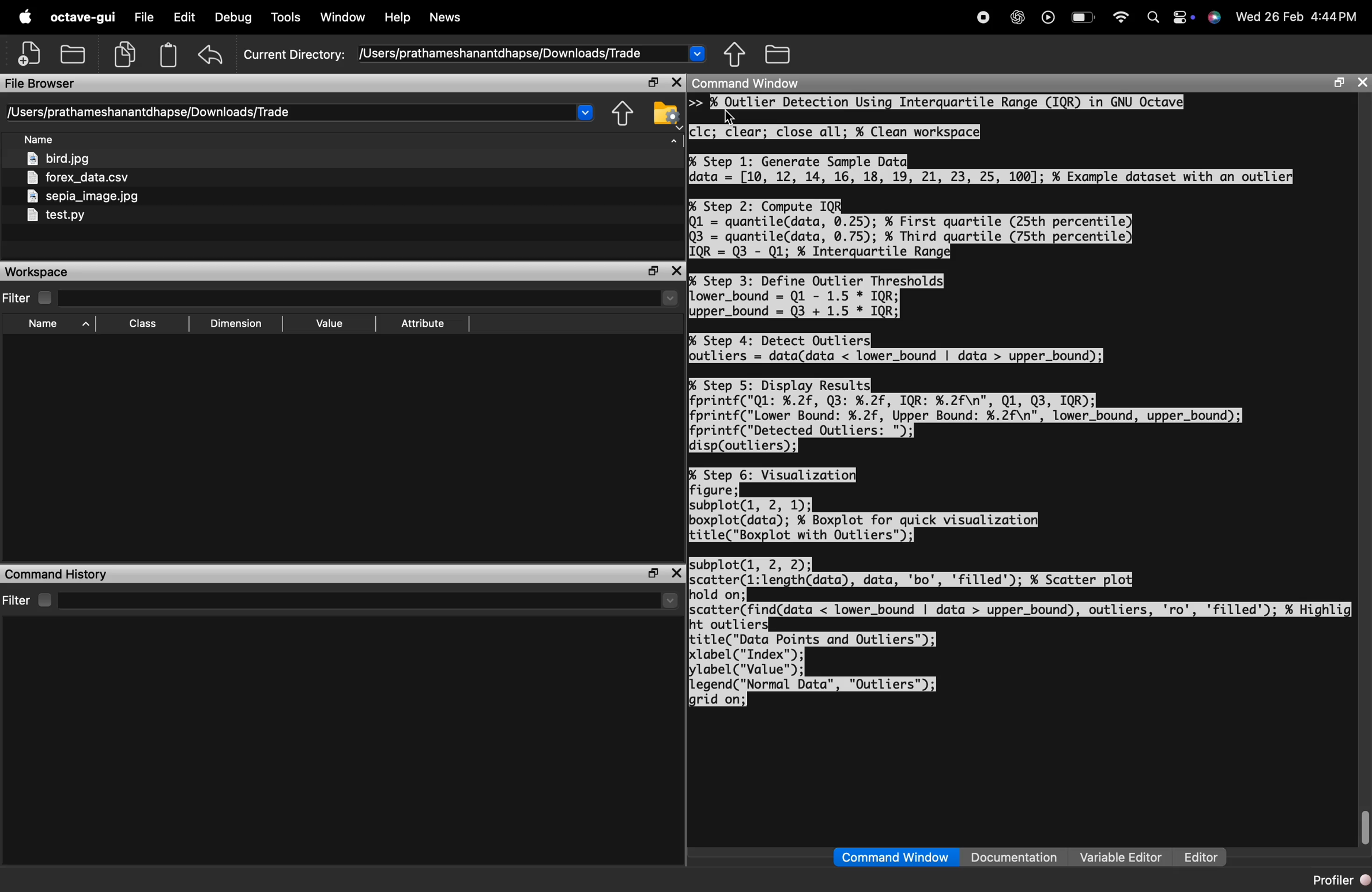 This screenshot has height=892, width=1372. I want to click on >>, so click(696, 103).